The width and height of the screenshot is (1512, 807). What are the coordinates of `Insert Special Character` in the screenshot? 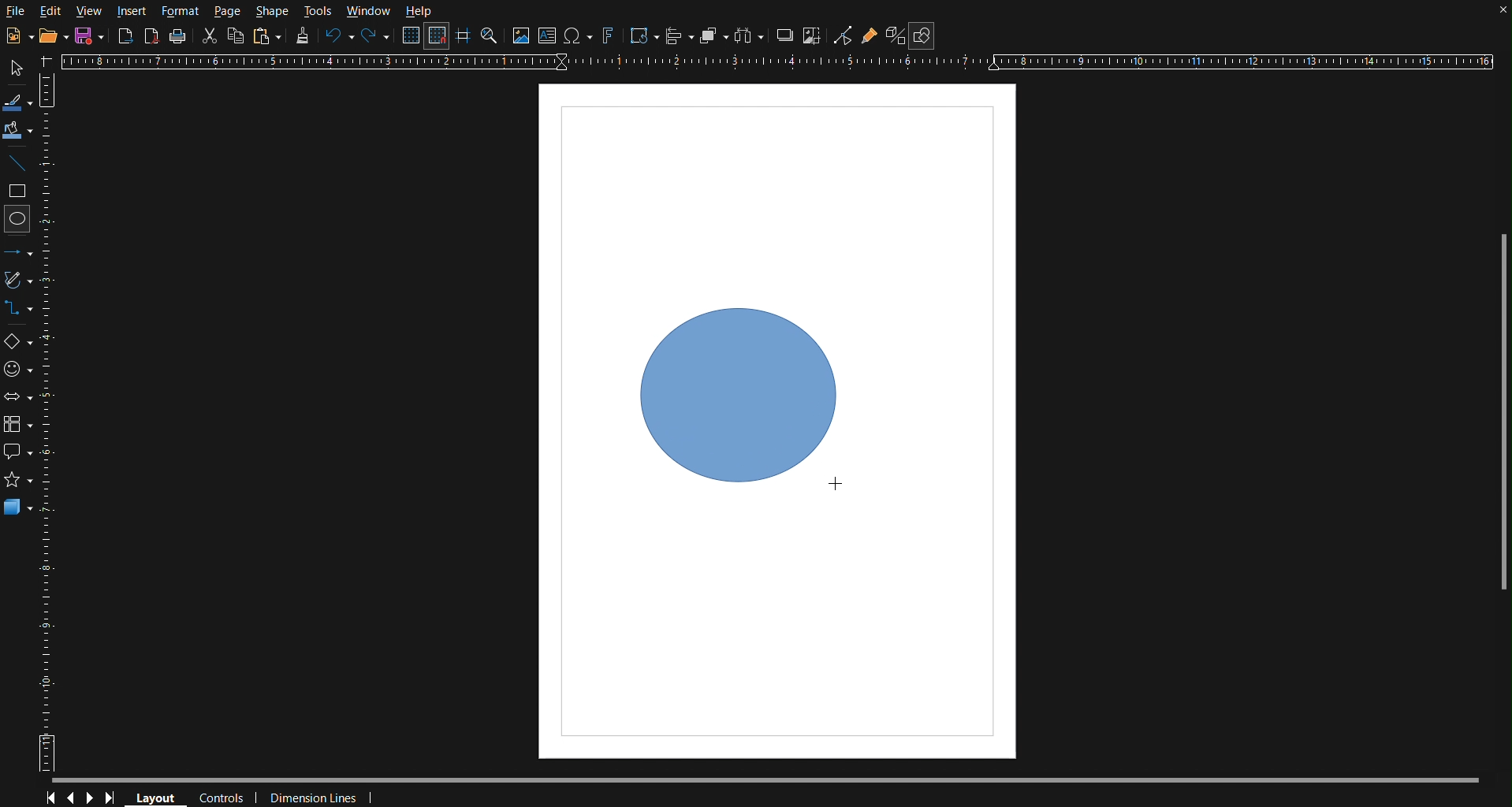 It's located at (579, 36).